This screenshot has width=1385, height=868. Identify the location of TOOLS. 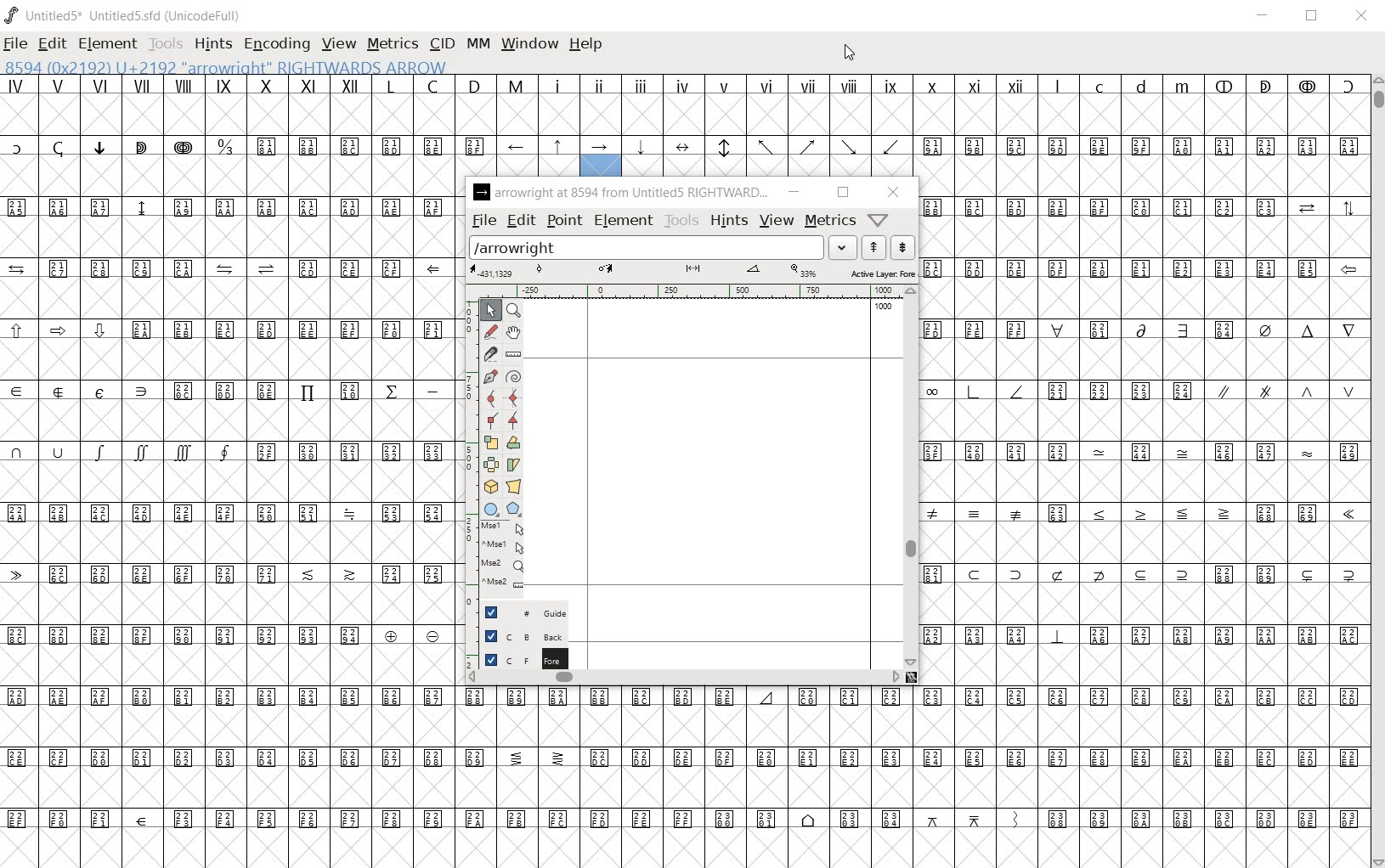
(164, 45).